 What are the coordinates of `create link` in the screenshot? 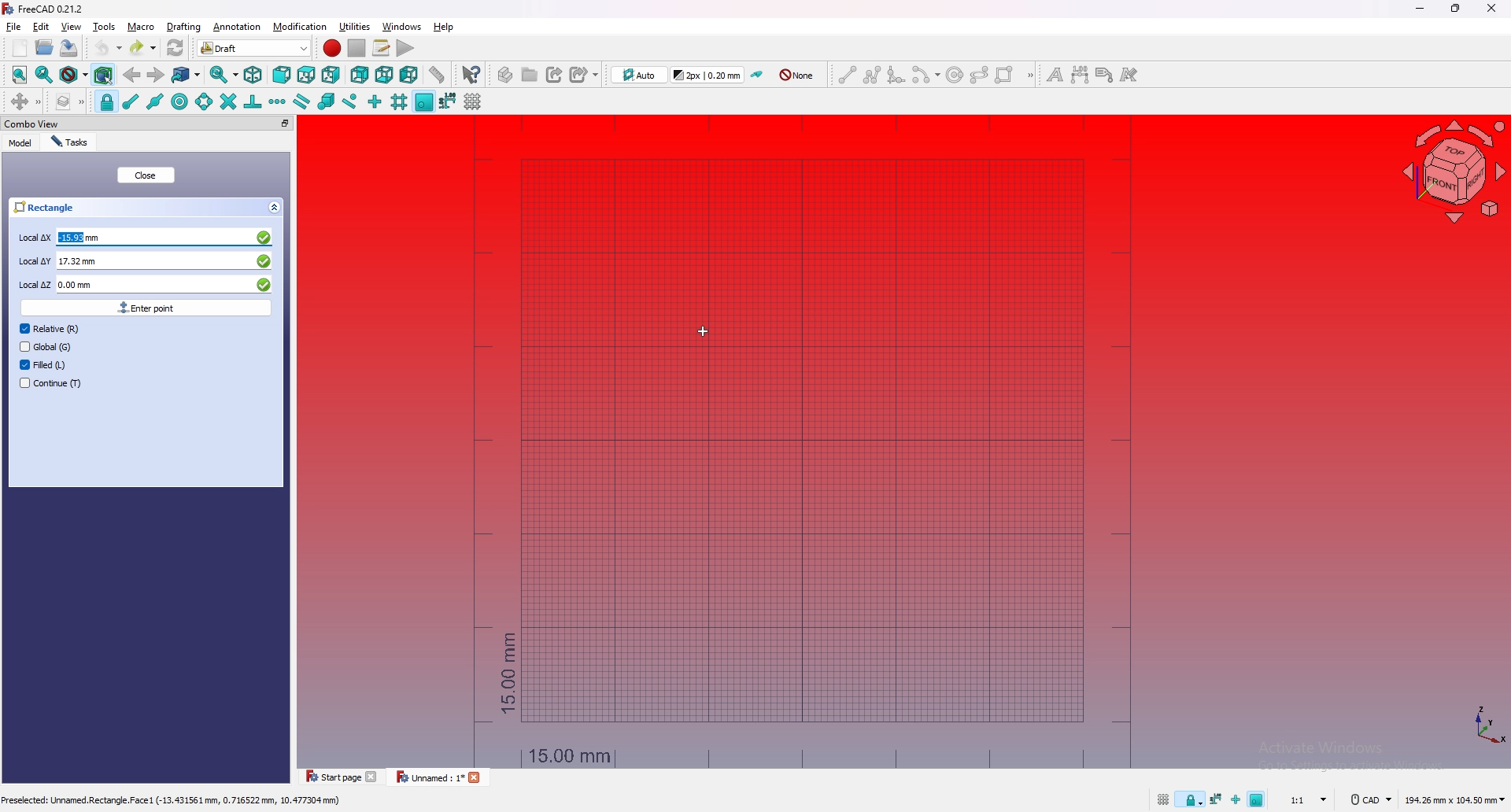 It's located at (555, 74).